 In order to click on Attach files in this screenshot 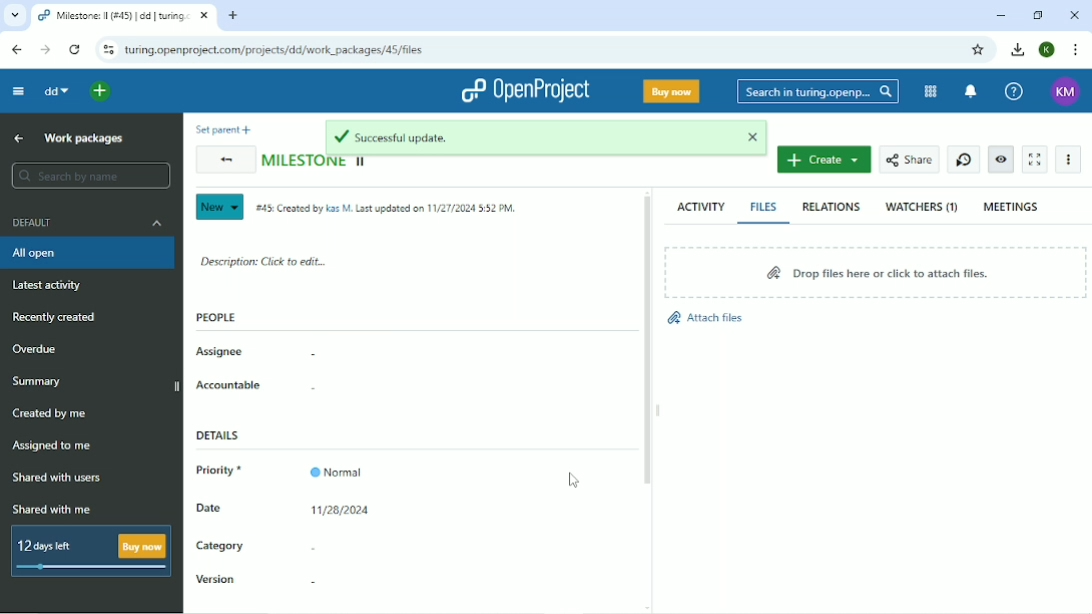, I will do `click(704, 318)`.